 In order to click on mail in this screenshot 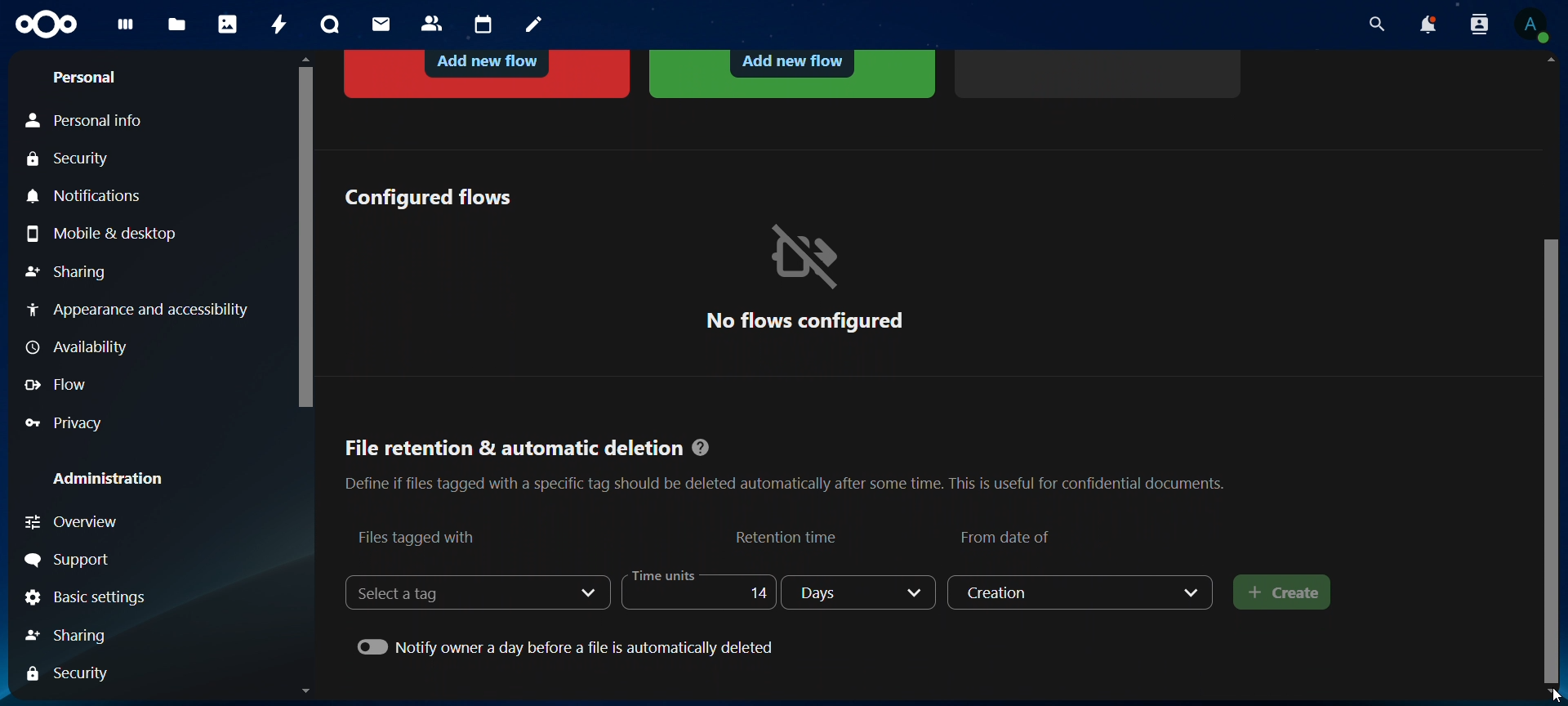, I will do `click(383, 24)`.